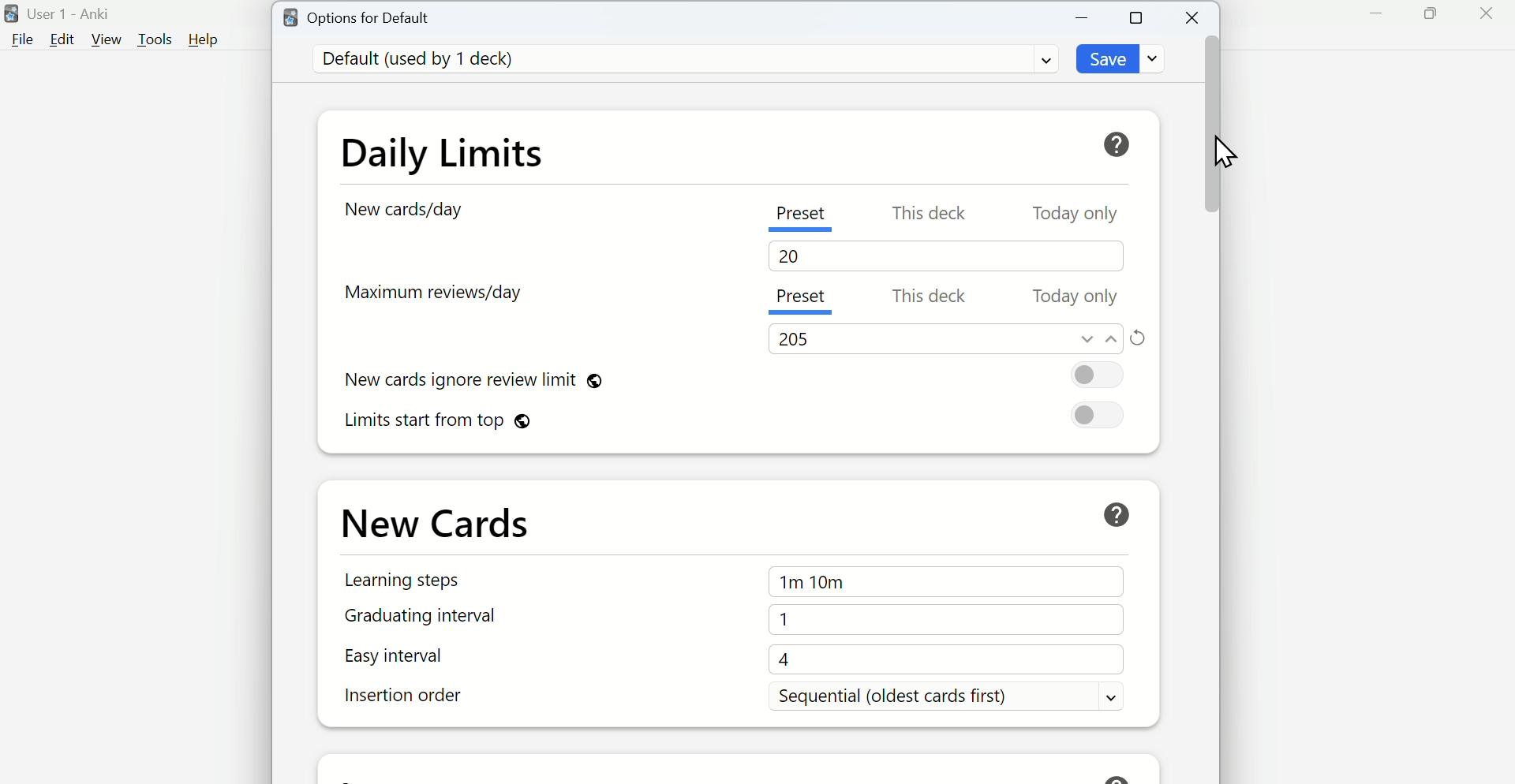 The height and width of the screenshot is (784, 1515). Describe the element at coordinates (1430, 14) in the screenshot. I see `Maximize` at that location.